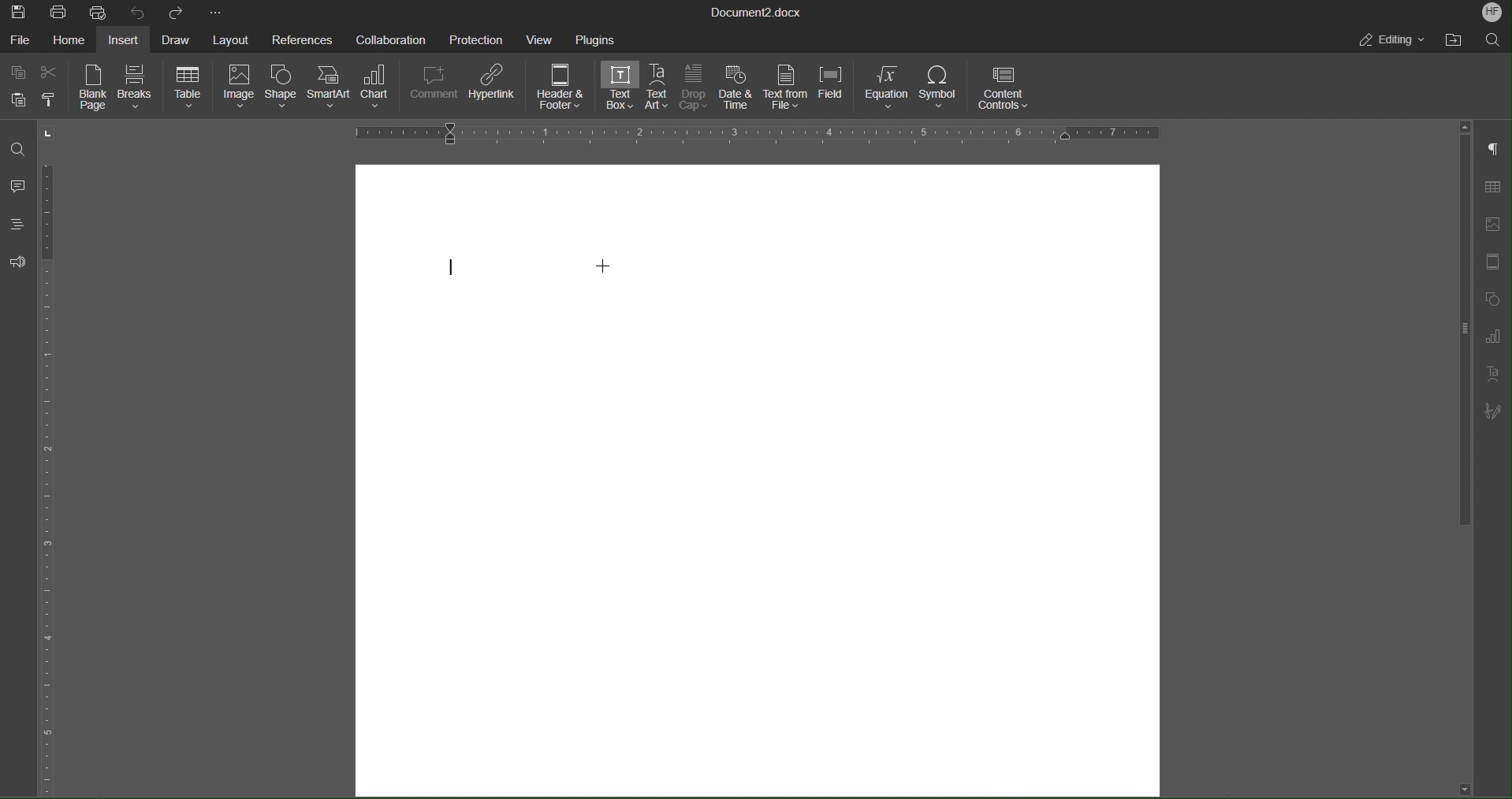 The image size is (1512, 799). What do you see at coordinates (477, 38) in the screenshot?
I see `Protection` at bounding box center [477, 38].